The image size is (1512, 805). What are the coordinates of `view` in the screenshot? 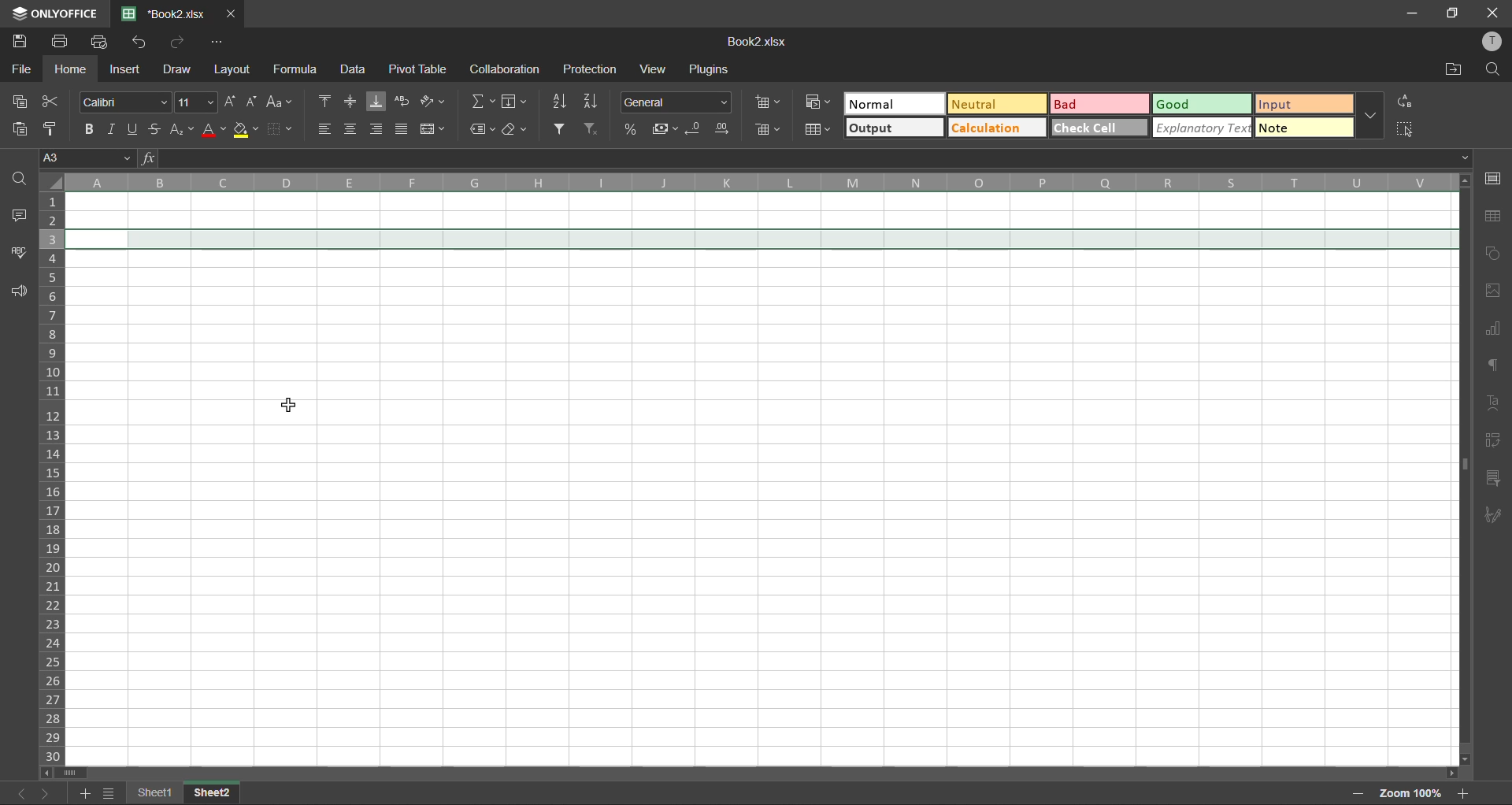 It's located at (648, 70).